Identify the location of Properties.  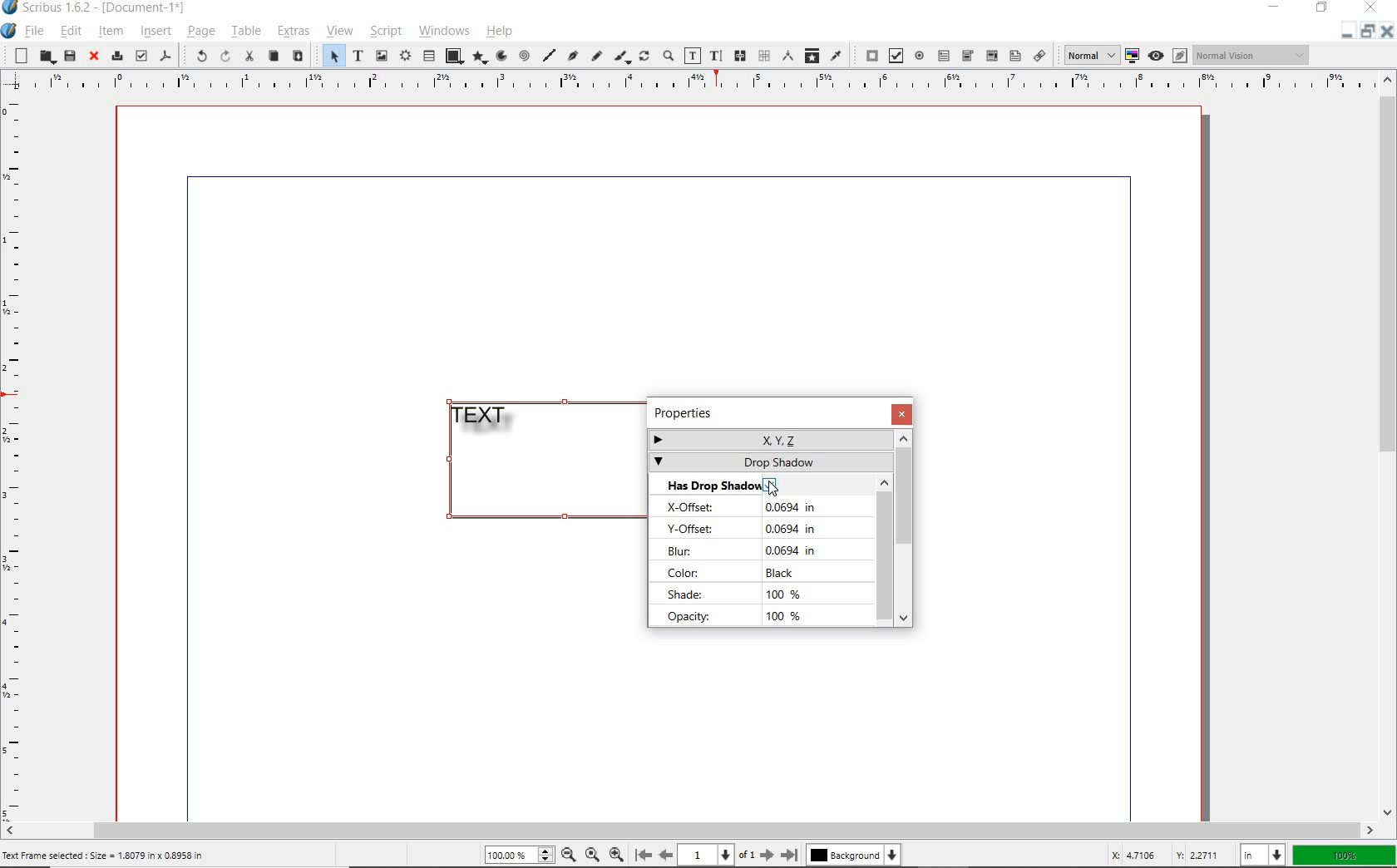
(704, 412).